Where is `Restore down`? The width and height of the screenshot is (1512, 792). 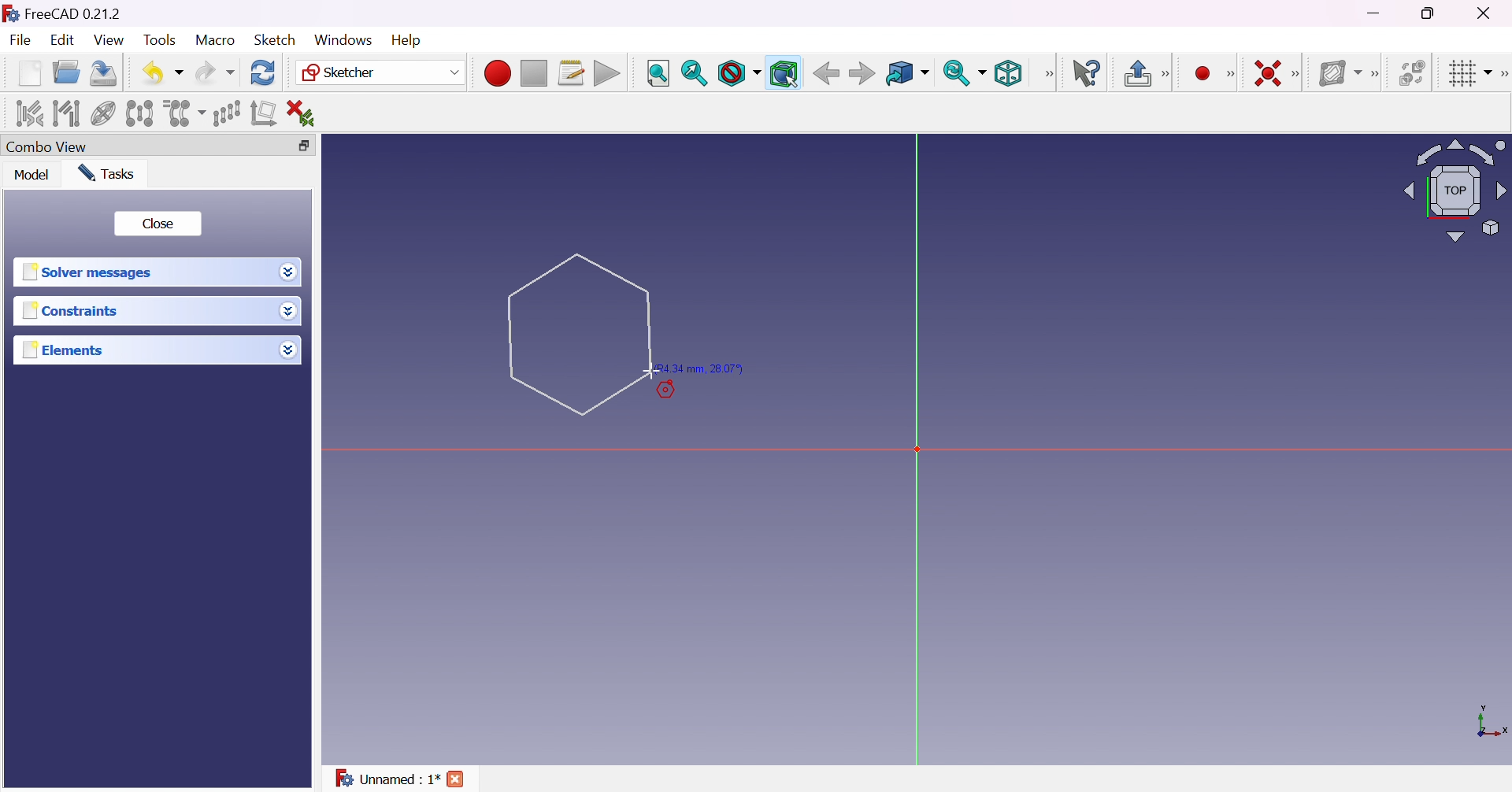 Restore down is located at coordinates (312, 146).